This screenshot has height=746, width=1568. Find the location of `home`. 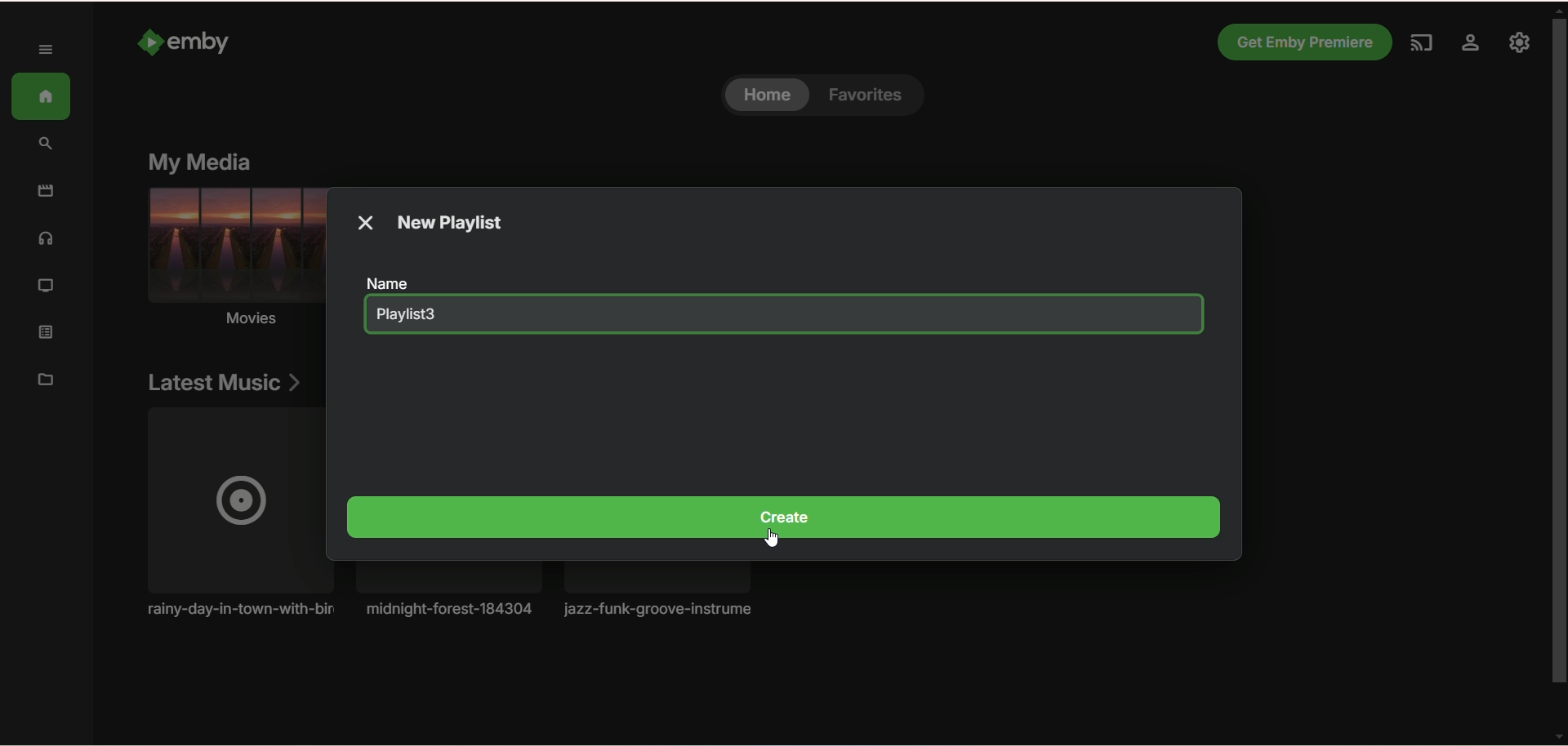

home is located at coordinates (767, 96).